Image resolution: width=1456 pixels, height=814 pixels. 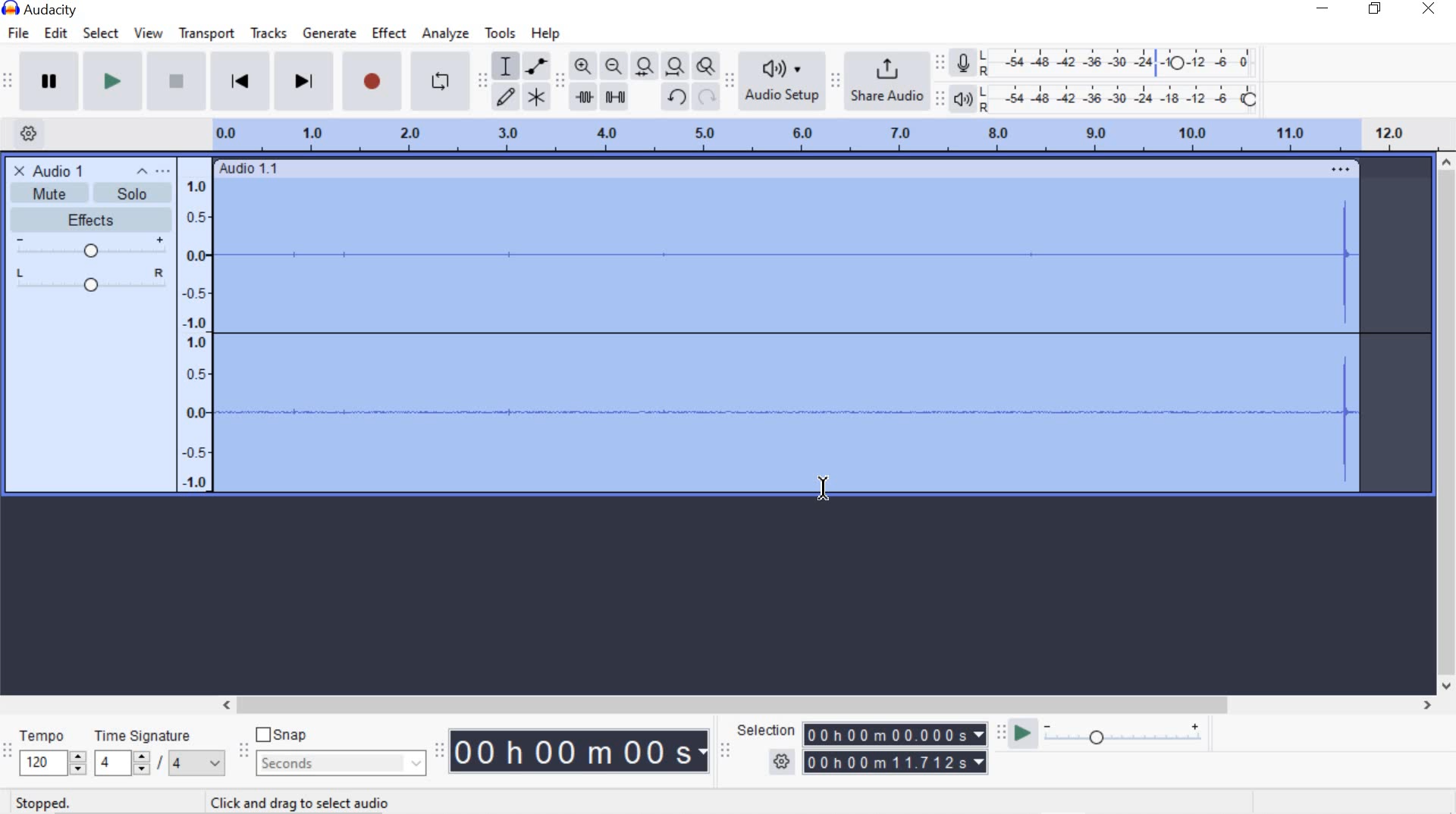 I want to click on analyze, so click(x=446, y=33).